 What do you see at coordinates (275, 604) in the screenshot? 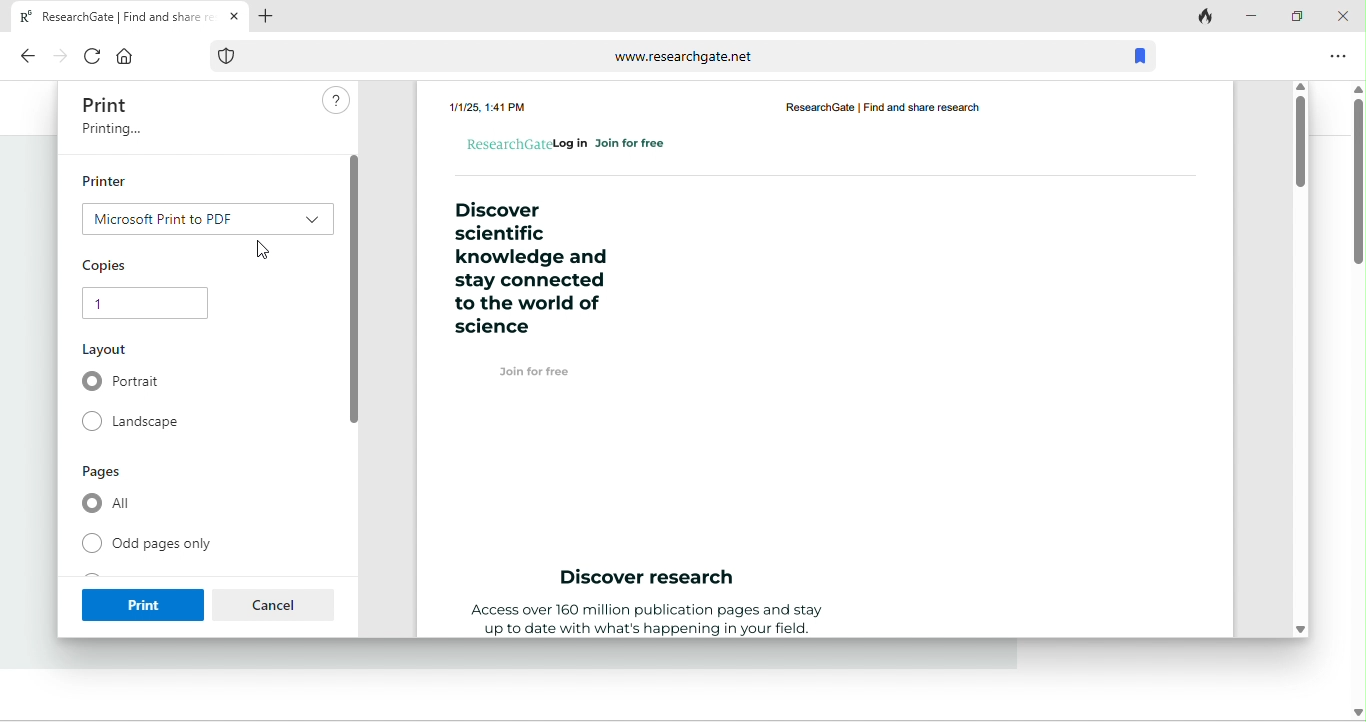
I see `cancel` at bounding box center [275, 604].